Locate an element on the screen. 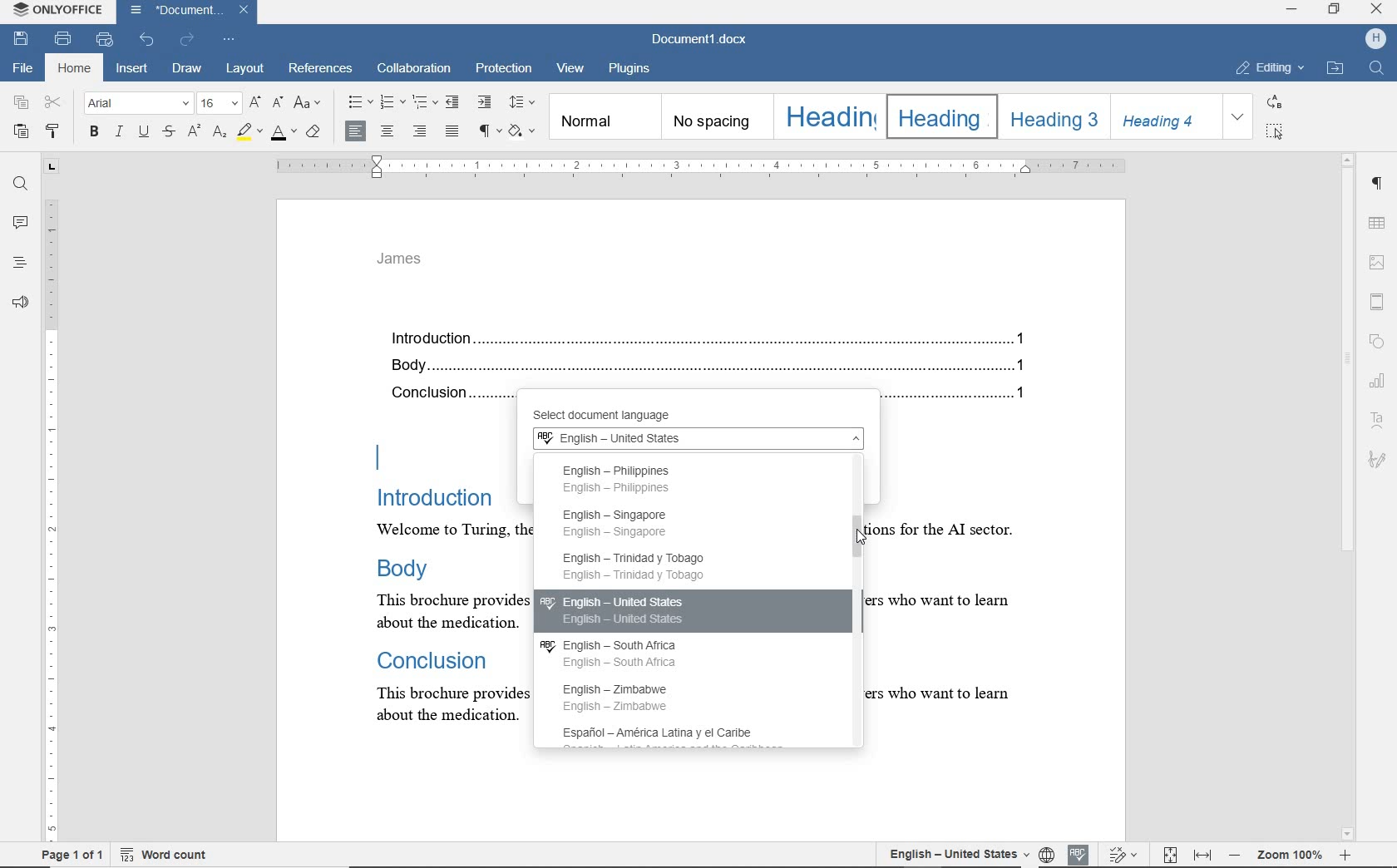 The image size is (1397, 868). highlight color is located at coordinates (249, 132).